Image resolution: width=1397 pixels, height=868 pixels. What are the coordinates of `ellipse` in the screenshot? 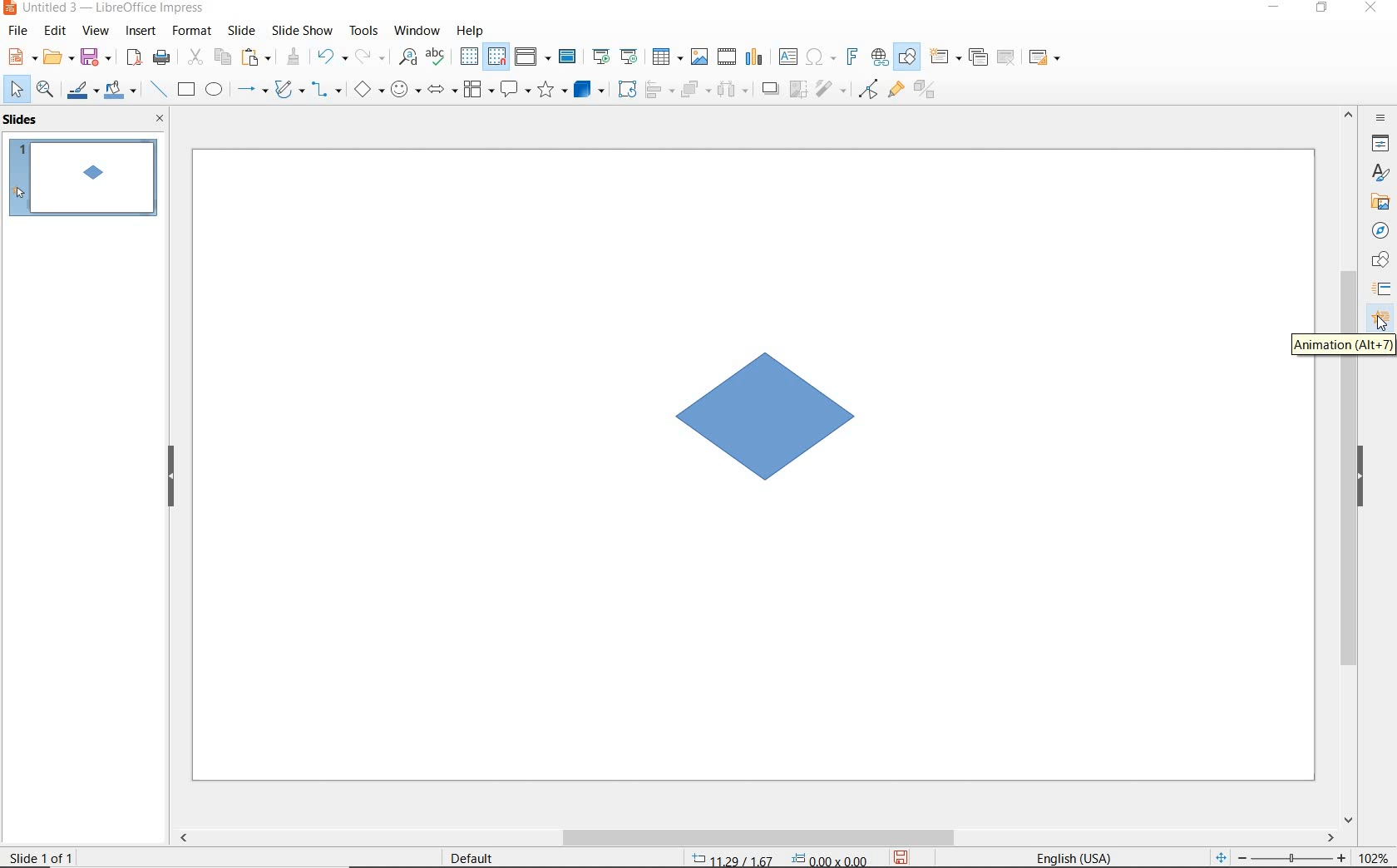 It's located at (214, 89).